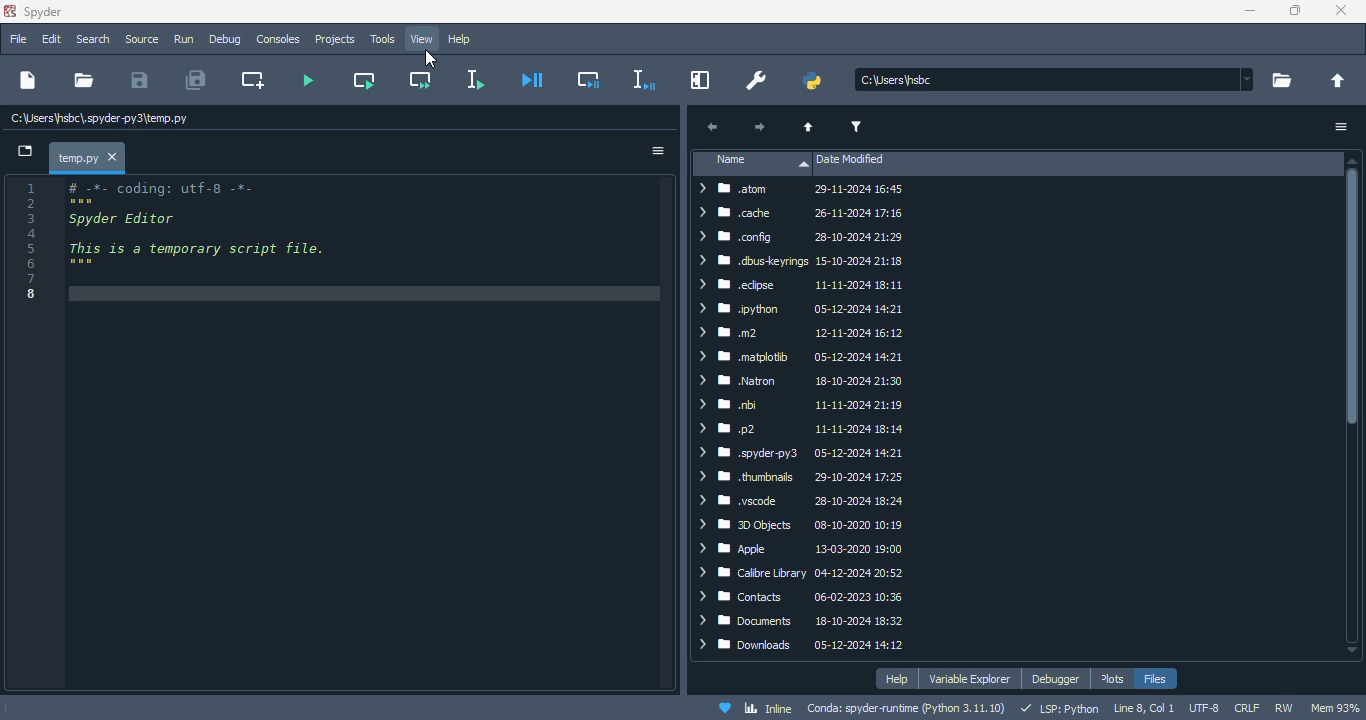  I want to click on save all files, so click(196, 80).